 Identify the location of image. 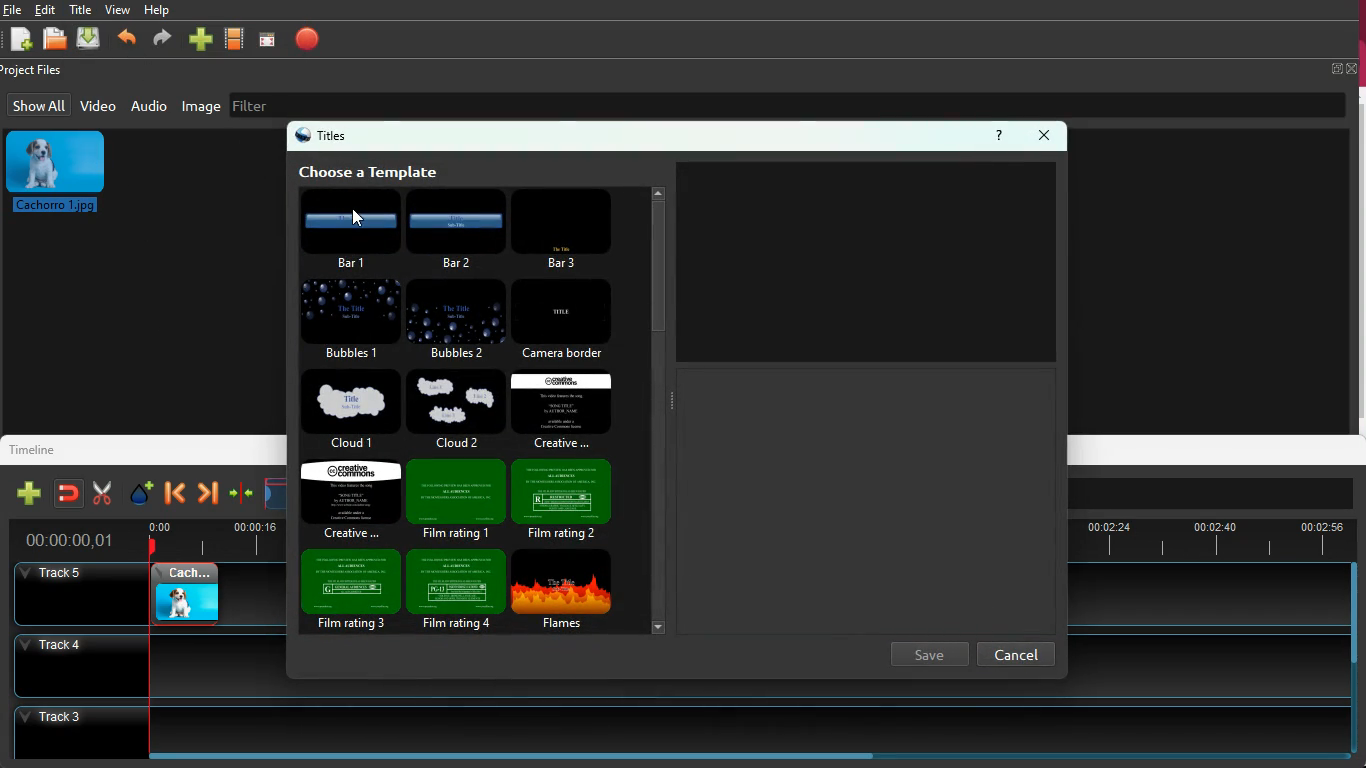
(202, 106).